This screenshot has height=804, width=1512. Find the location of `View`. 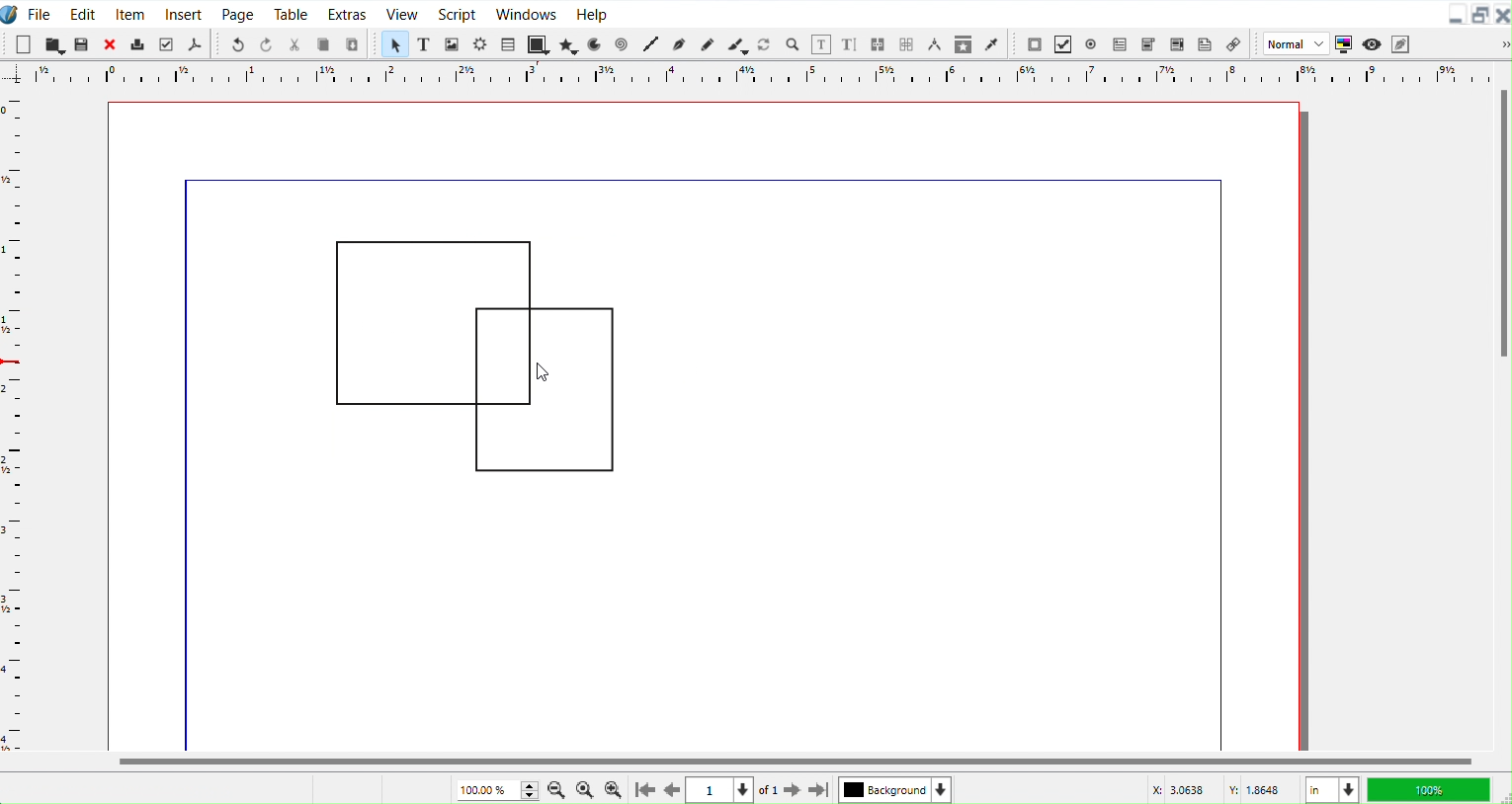

View is located at coordinates (400, 13).